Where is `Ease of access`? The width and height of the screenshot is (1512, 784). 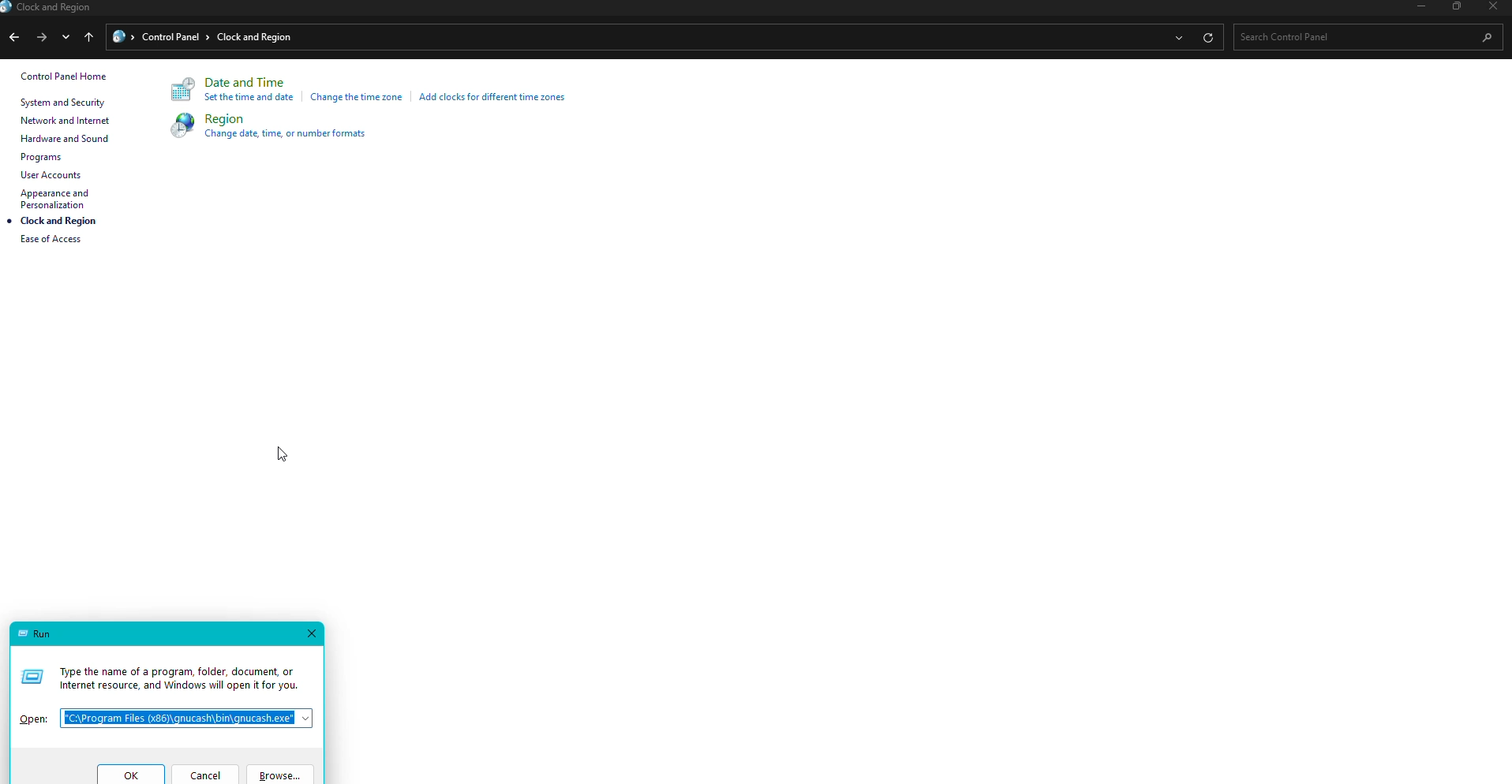 Ease of access is located at coordinates (58, 243).